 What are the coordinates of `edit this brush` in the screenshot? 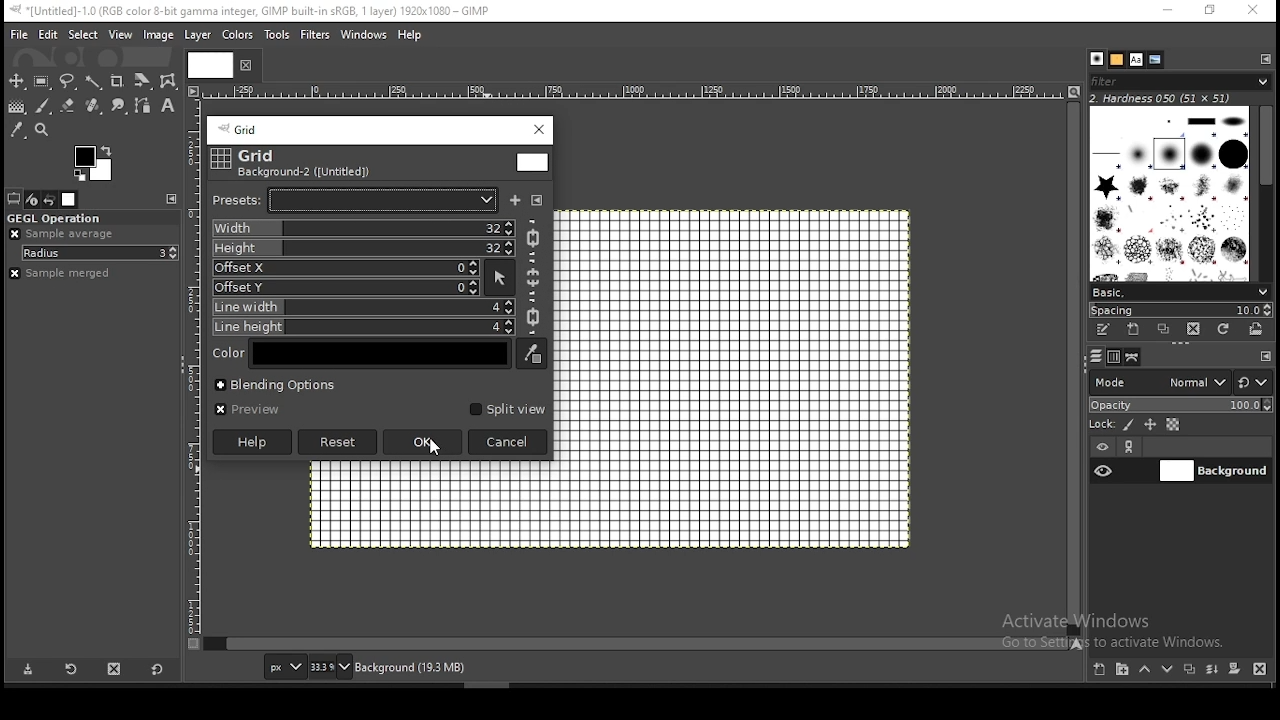 It's located at (1101, 330).